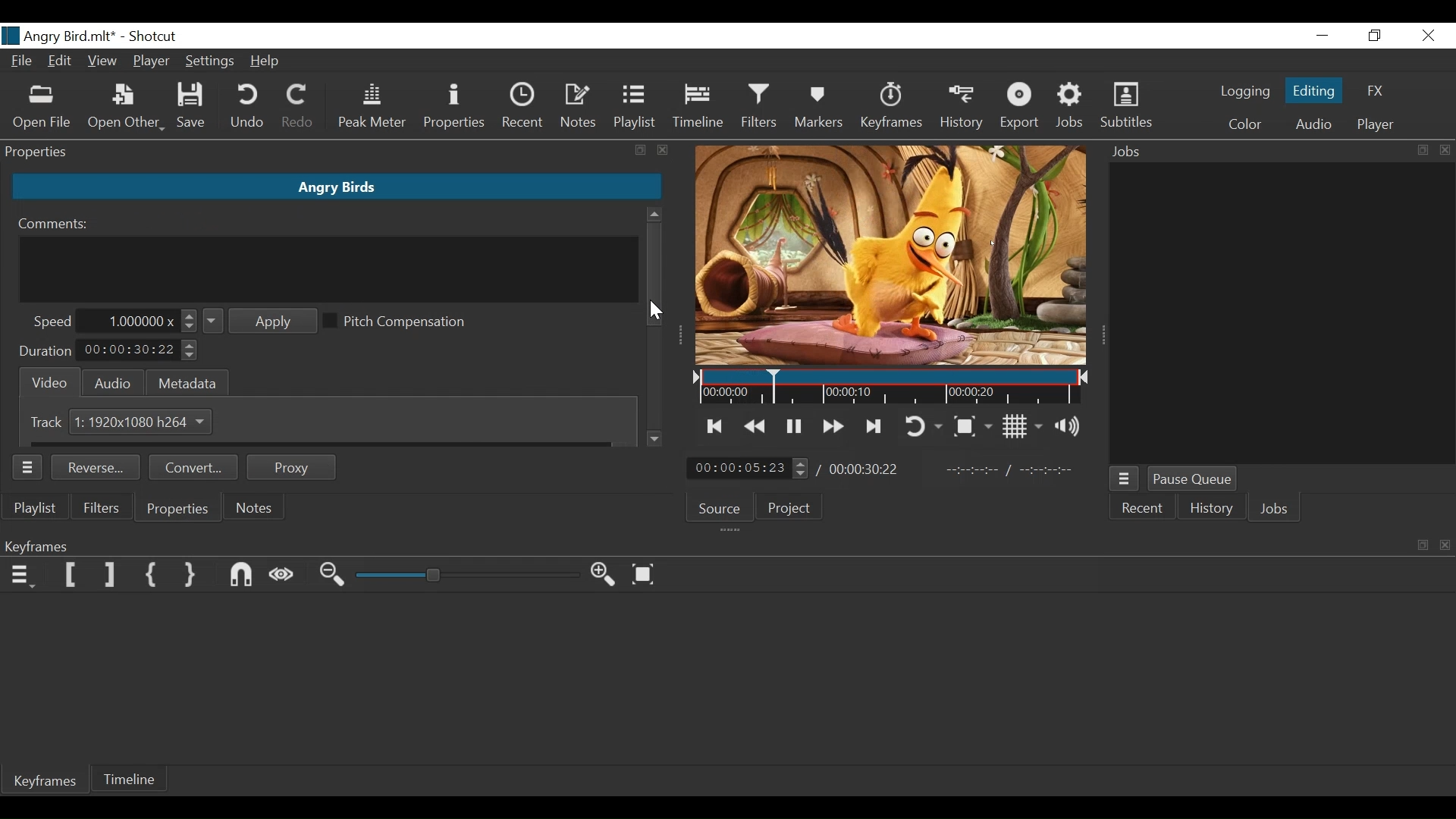 The width and height of the screenshot is (1456, 819). Describe the element at coordinates (1285, 314) in the screenshot. I see `Jobs Panel` at that location.